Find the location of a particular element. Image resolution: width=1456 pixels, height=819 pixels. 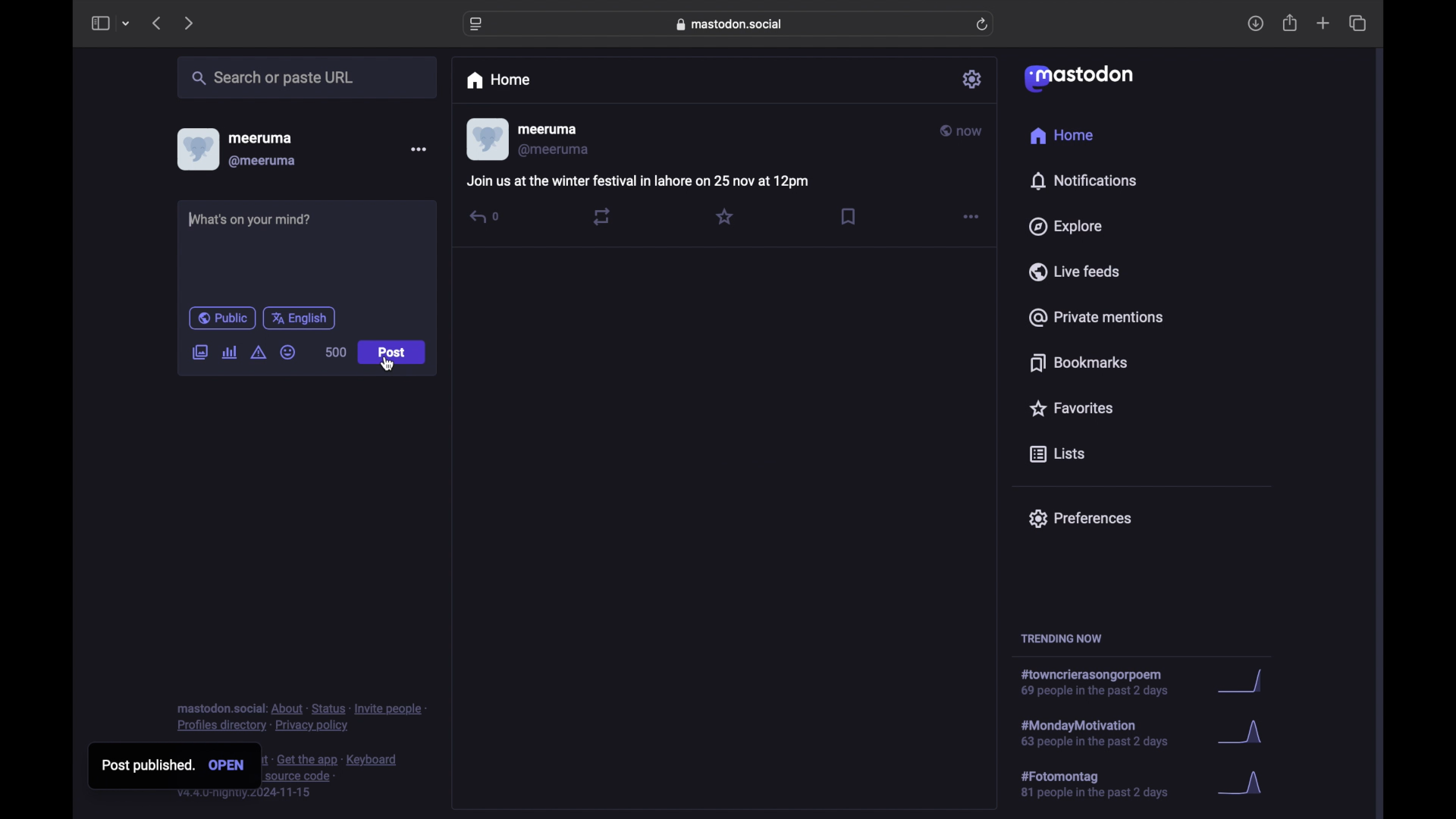

post is located at coordinates (637, 183).